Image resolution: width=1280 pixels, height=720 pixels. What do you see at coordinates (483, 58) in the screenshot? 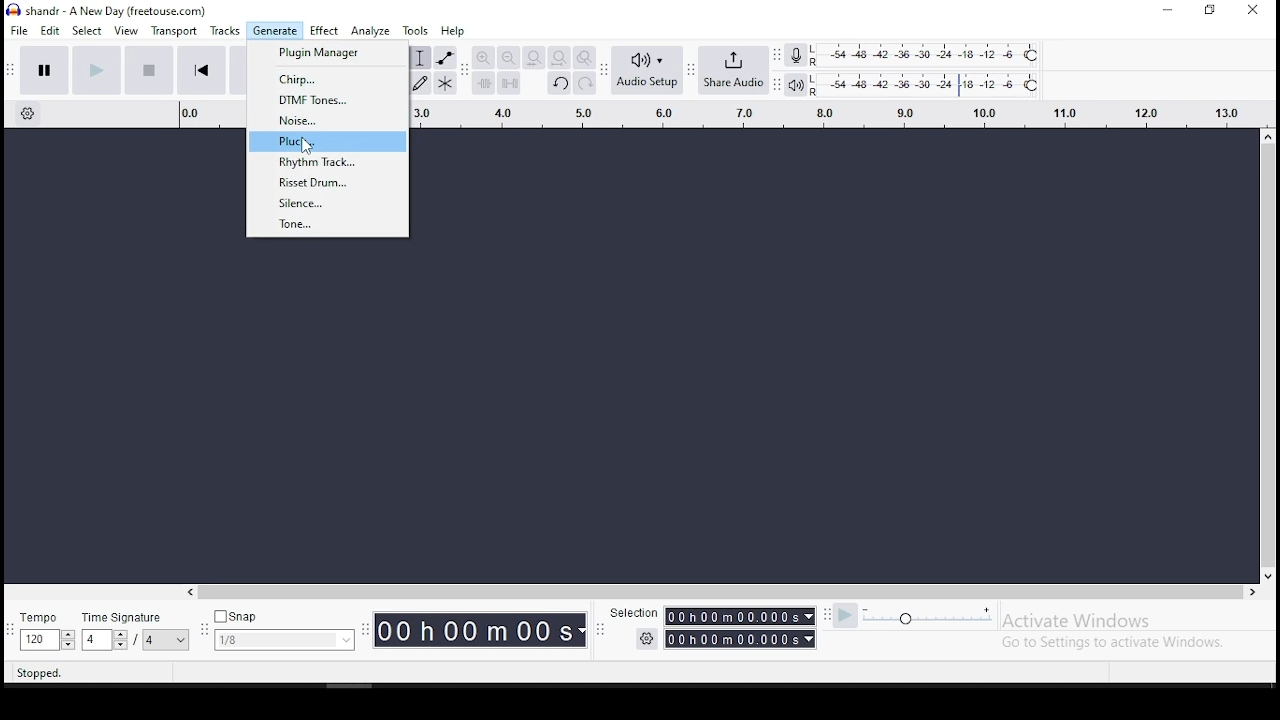
I see `zoom in` at bounding box center [483, 58].